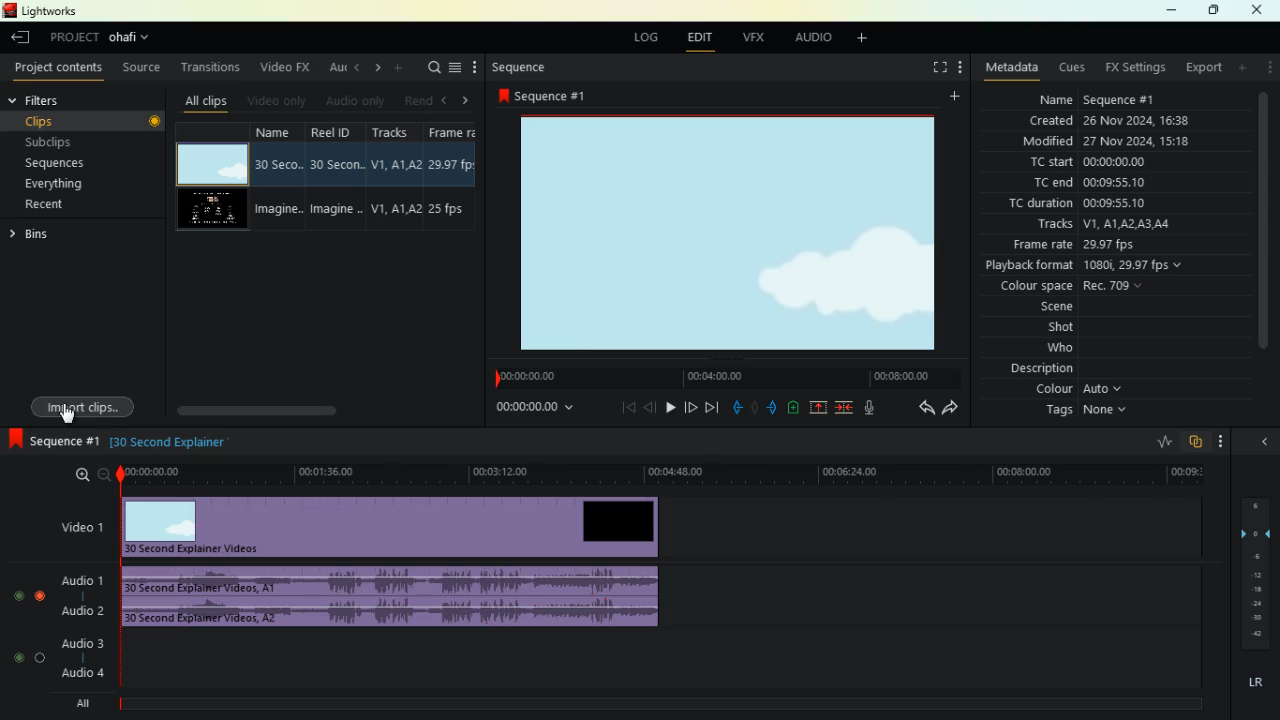  What do you see at coordinates (287, 67) in the screenshot?
I see `video fx` at bounding box center [287, 67].